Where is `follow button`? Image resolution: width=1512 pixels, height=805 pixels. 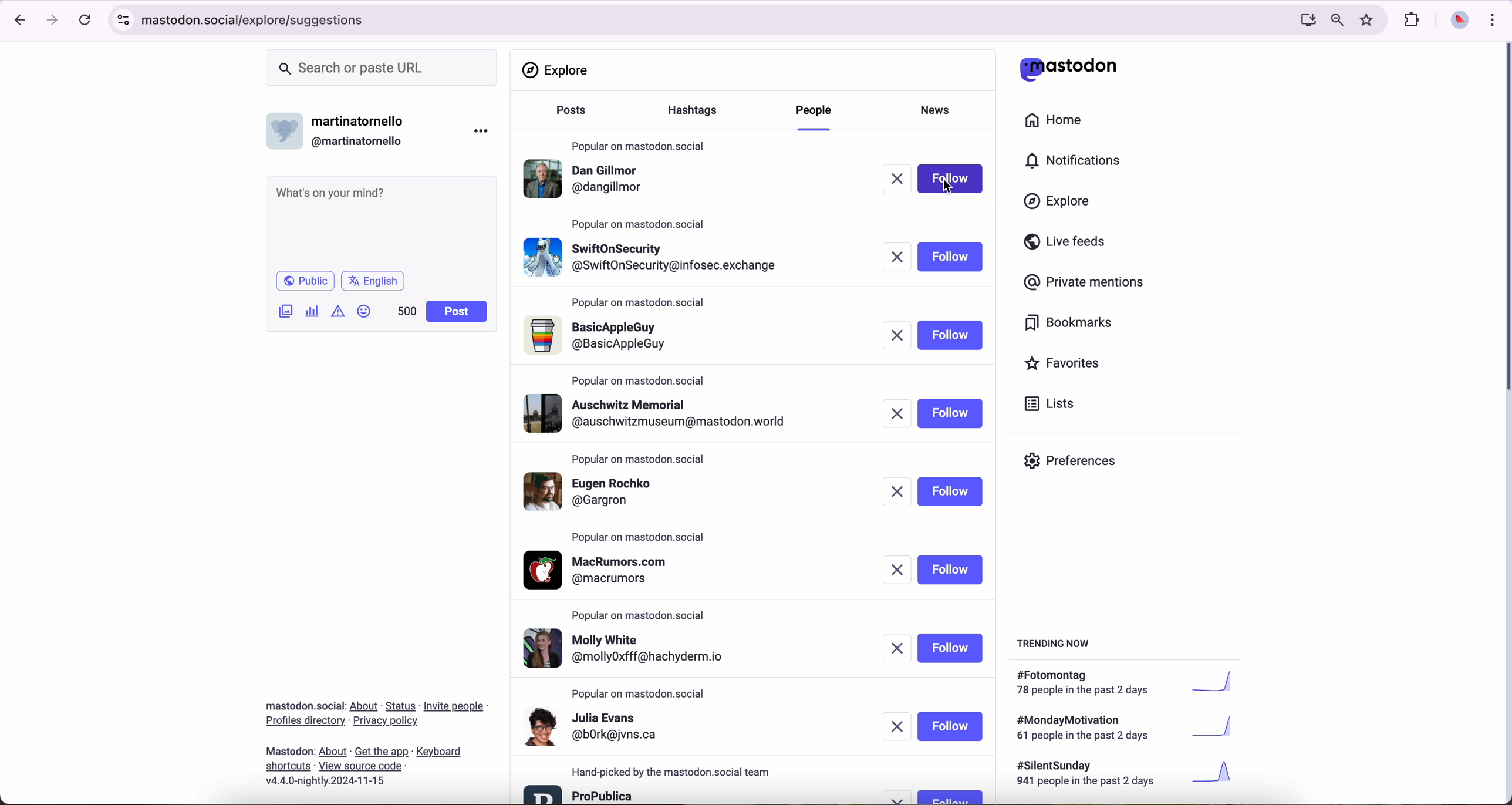 follow button is located at coordinates (950, 413).